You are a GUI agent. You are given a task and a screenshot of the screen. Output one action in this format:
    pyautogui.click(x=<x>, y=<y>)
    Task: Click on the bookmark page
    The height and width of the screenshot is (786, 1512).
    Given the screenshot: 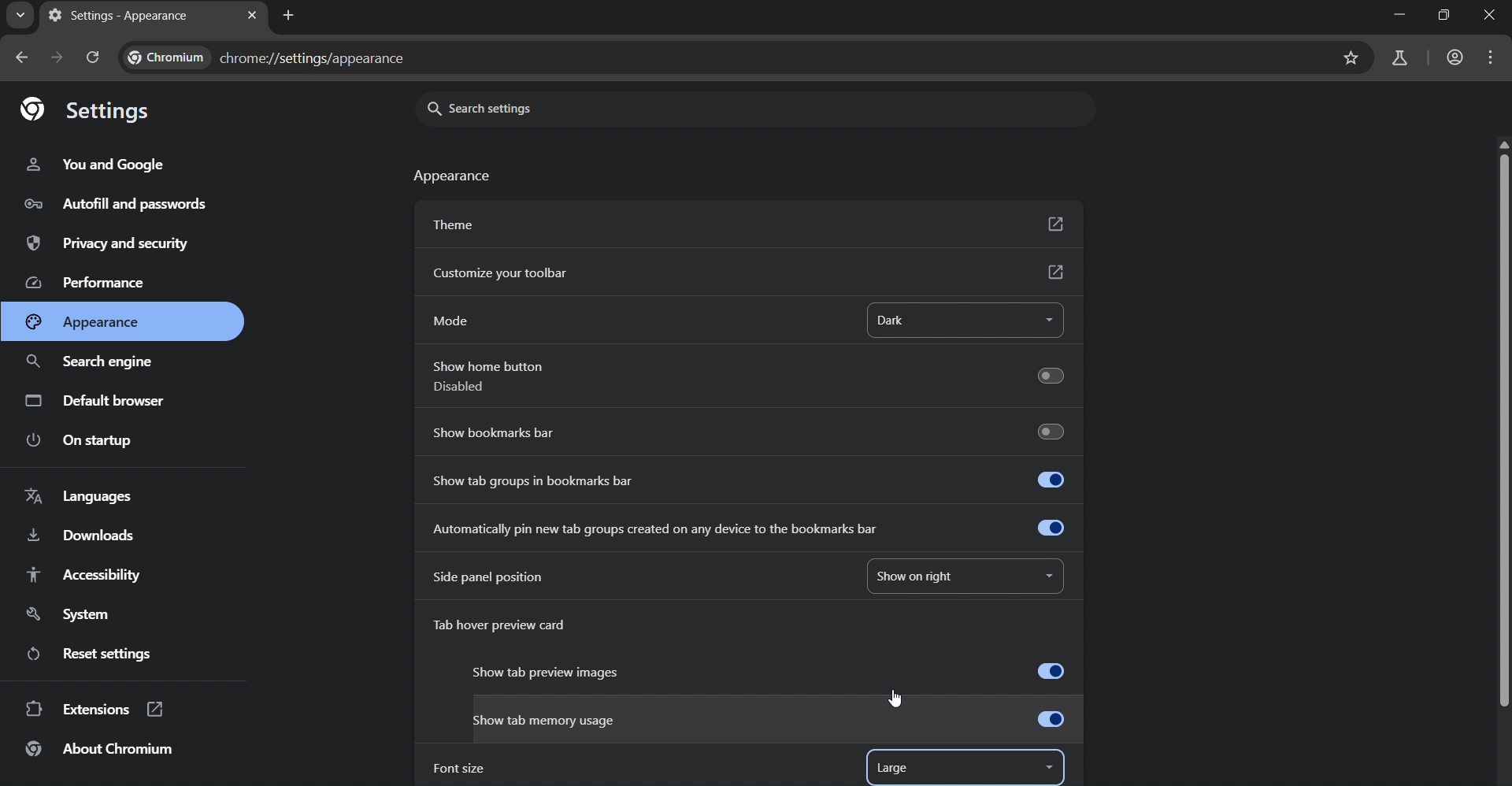 What is the action you would take?
    pyautogui.click(x=1350, y=59)
    